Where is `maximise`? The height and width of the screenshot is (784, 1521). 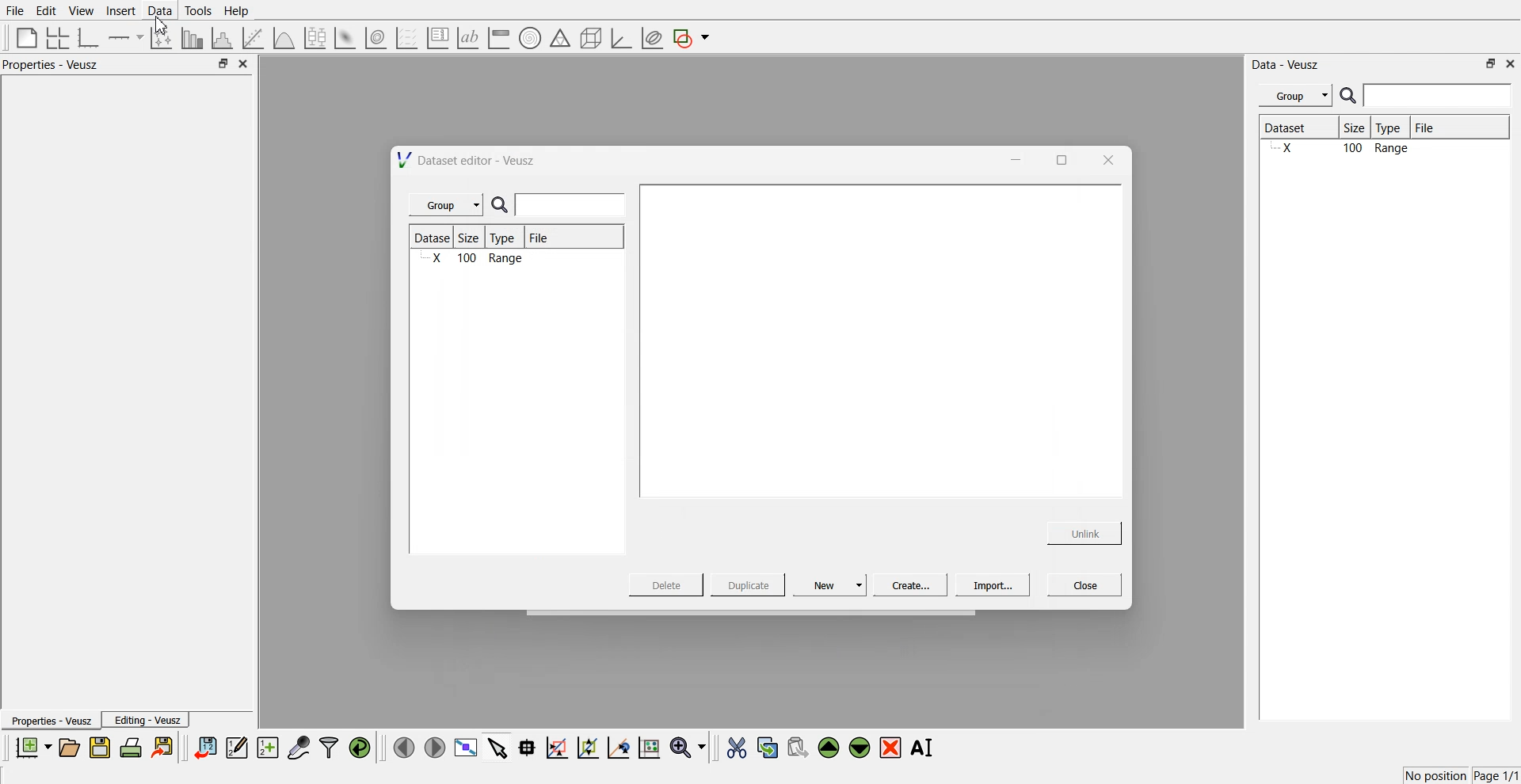
maximise is located at coordinates (1057, 158).